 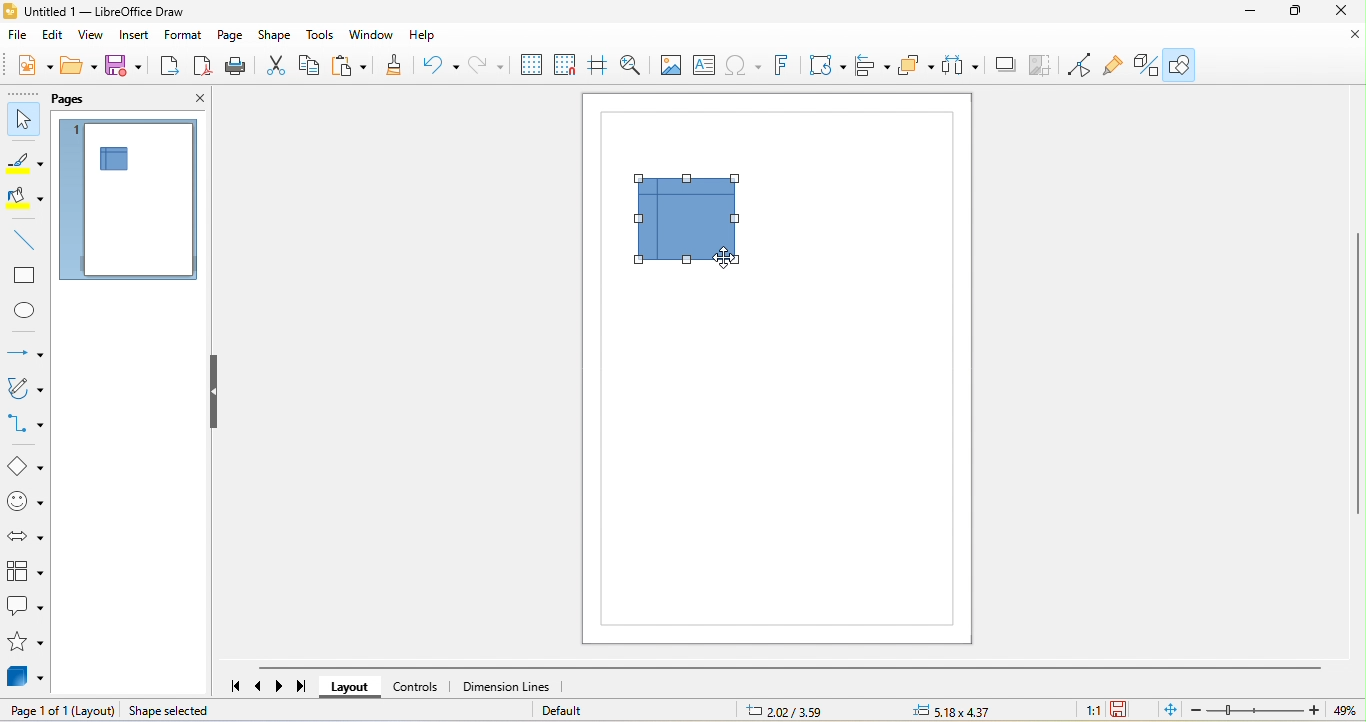 What do you see at coordinates (24, 120) in the screenshot?
I see `select` at bounding box center [24, 120].